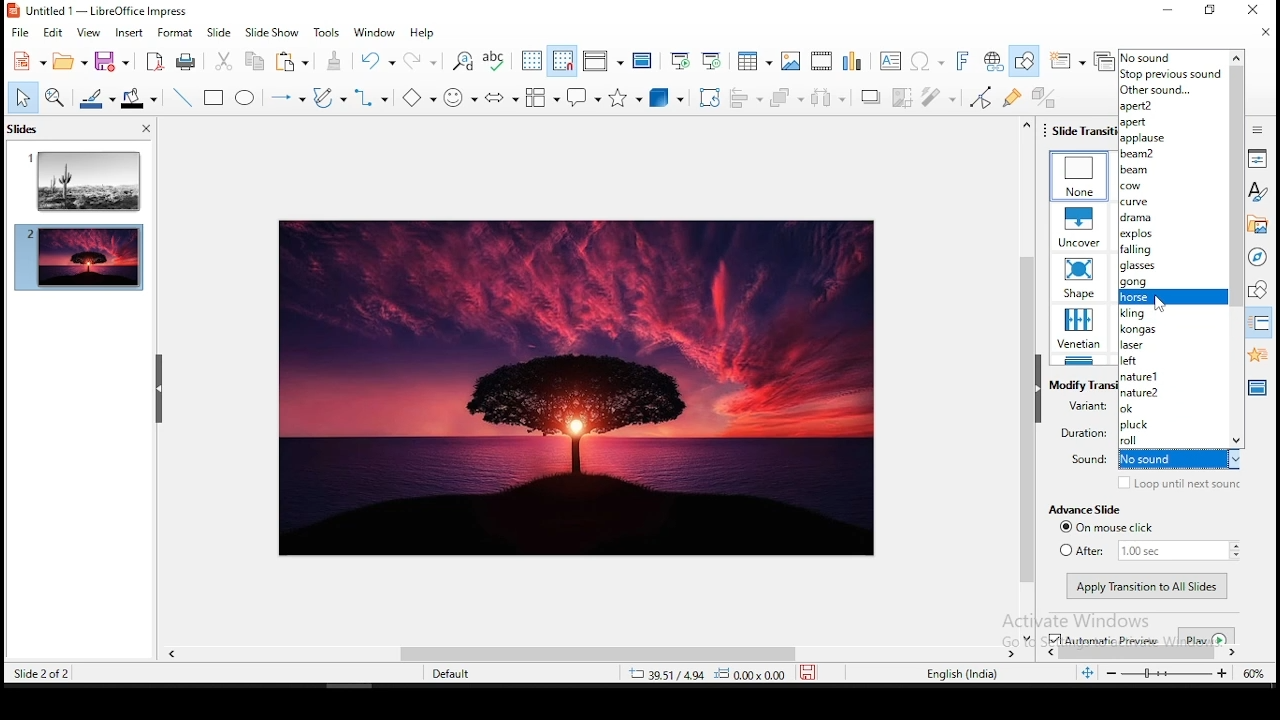 This screenshot has width=1280, height=720. Describe the element at coordinates (379, 61) in the screenshot. I see `undo` at that location.